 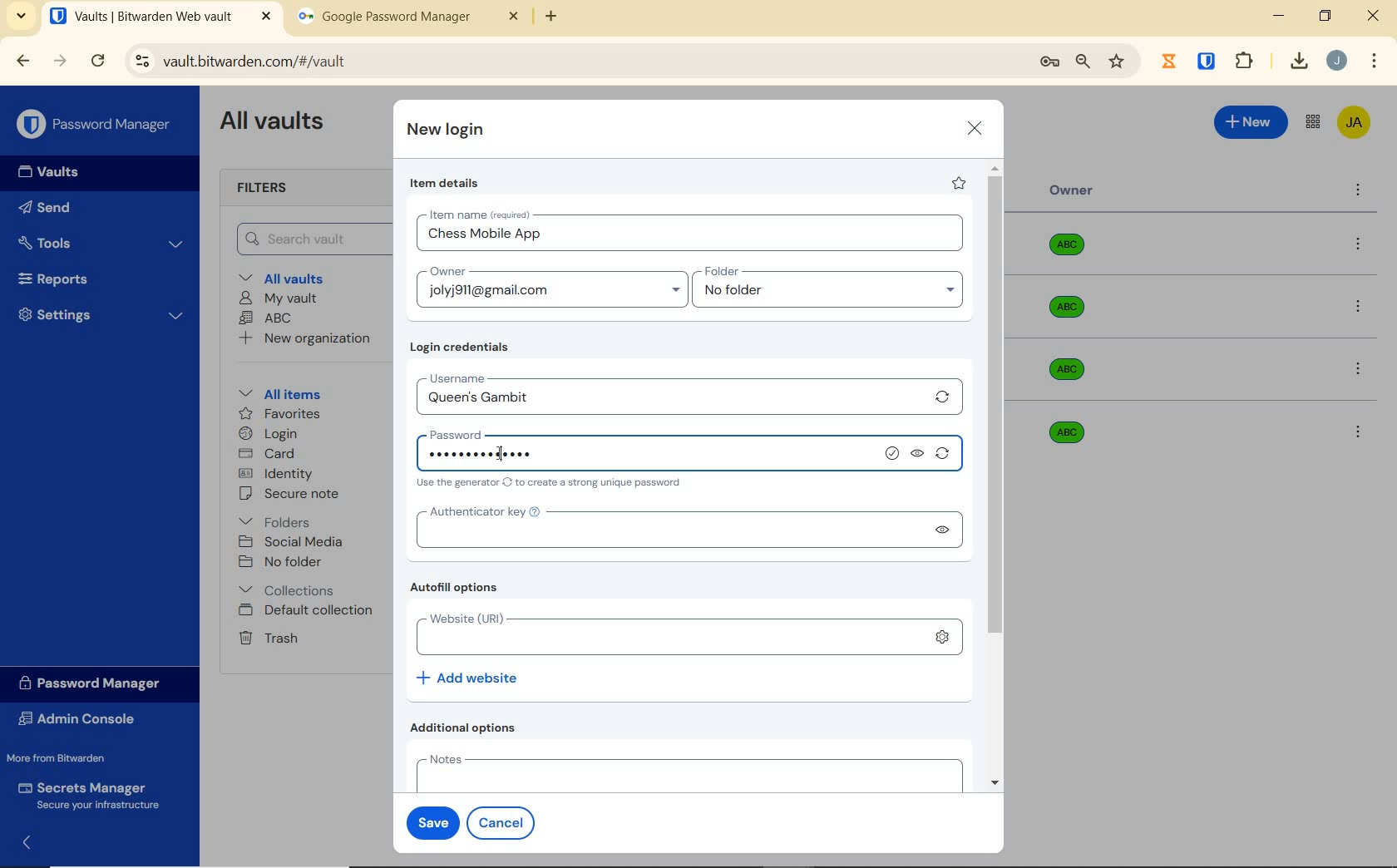 What do you see at coordinates (86, 796) in the screenshot?
I see `Secrets Manager` at bounding box center [86, 796].